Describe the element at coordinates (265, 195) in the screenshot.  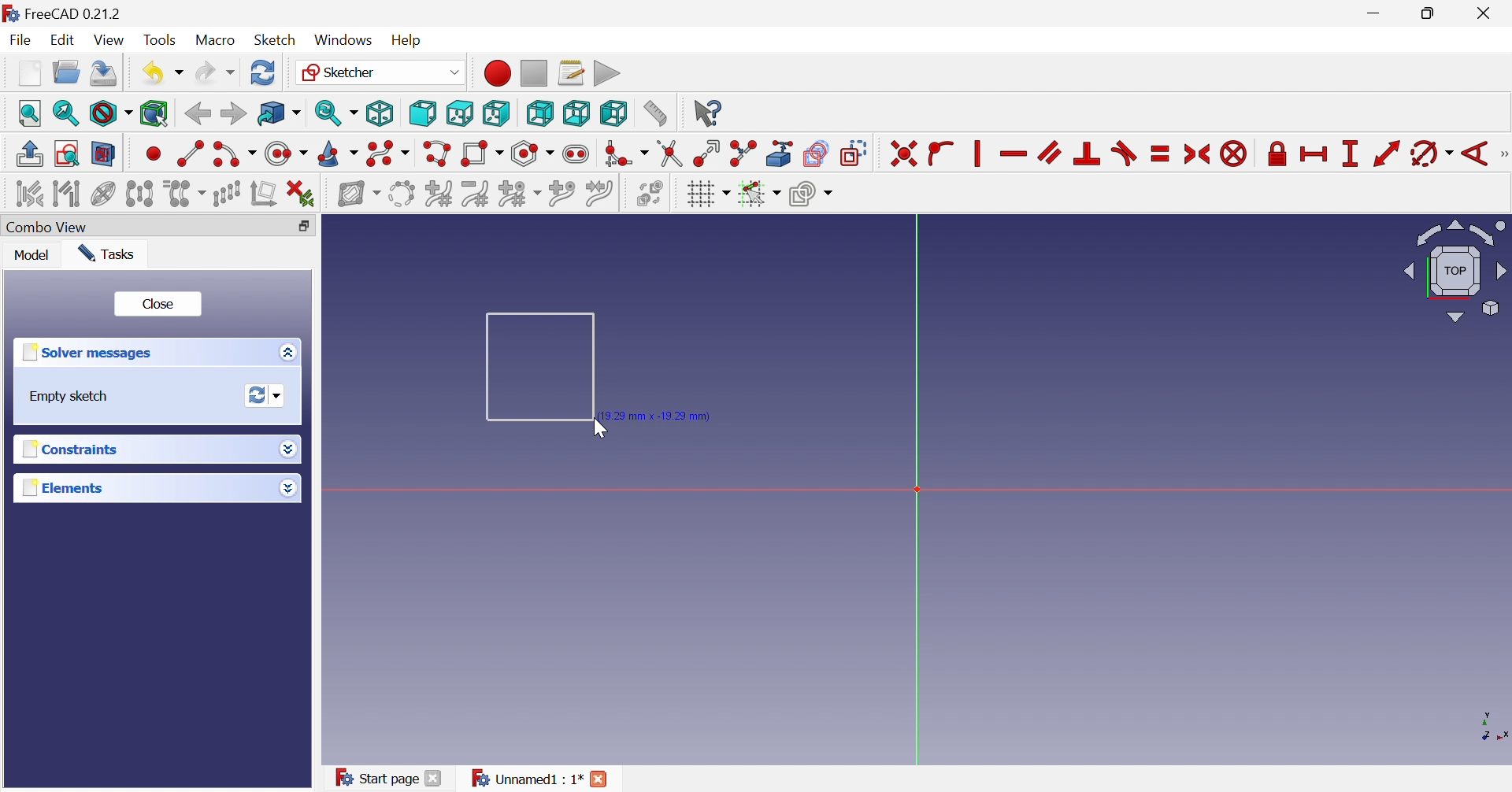
I see `Remove axes alignment` at that location.